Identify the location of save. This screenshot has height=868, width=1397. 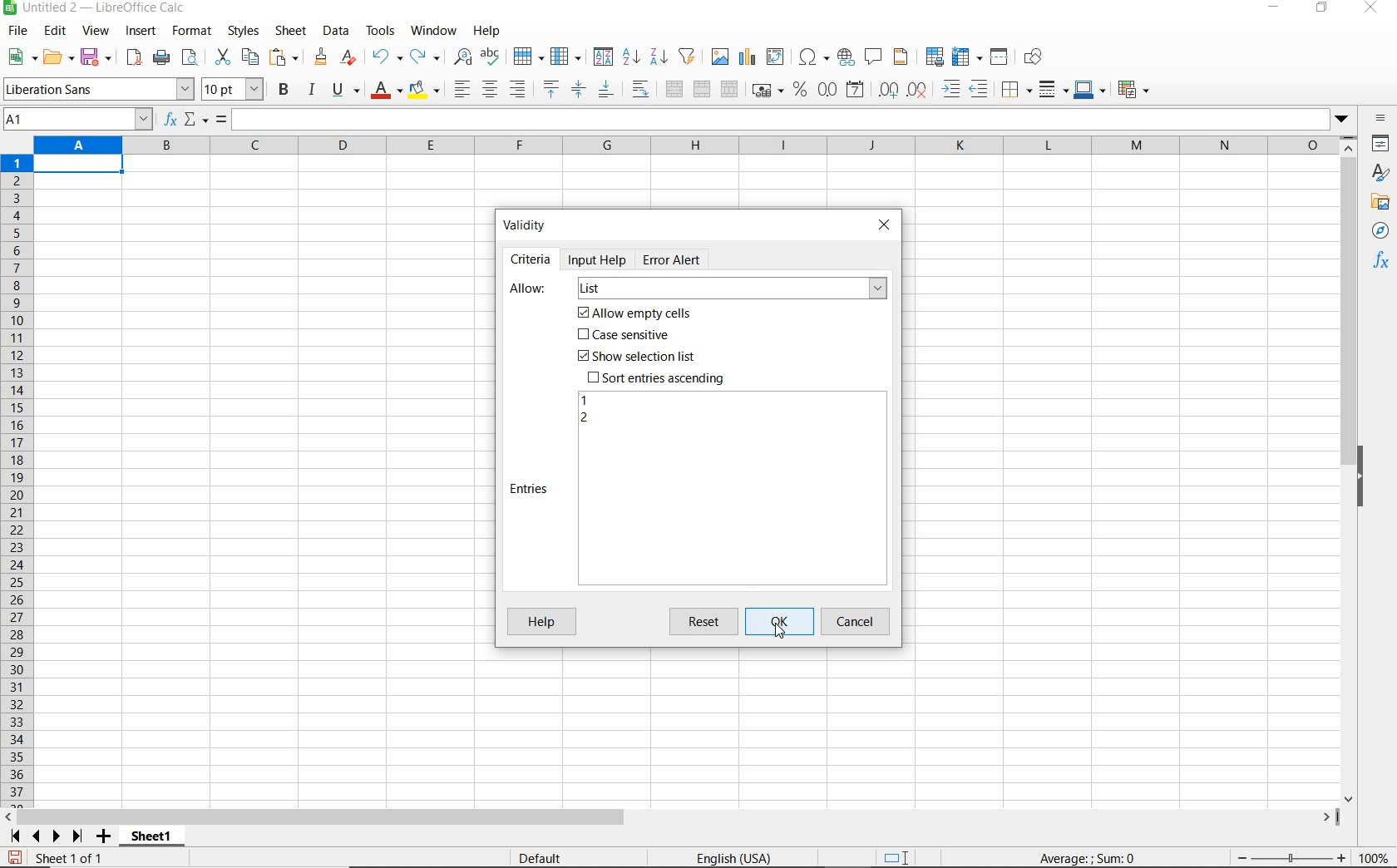
(15, 858).